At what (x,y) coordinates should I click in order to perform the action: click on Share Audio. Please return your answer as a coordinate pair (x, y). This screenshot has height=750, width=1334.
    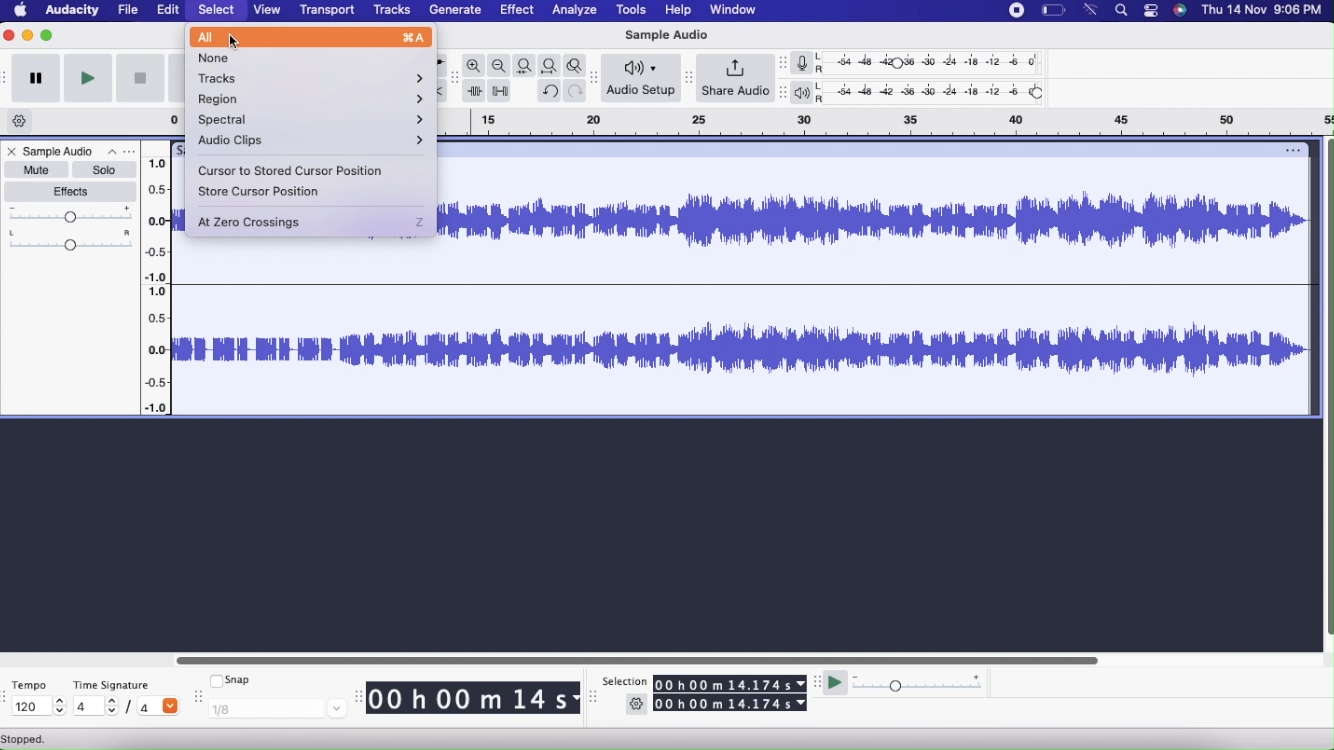
    Looking at the image, I should click on (736, 78).